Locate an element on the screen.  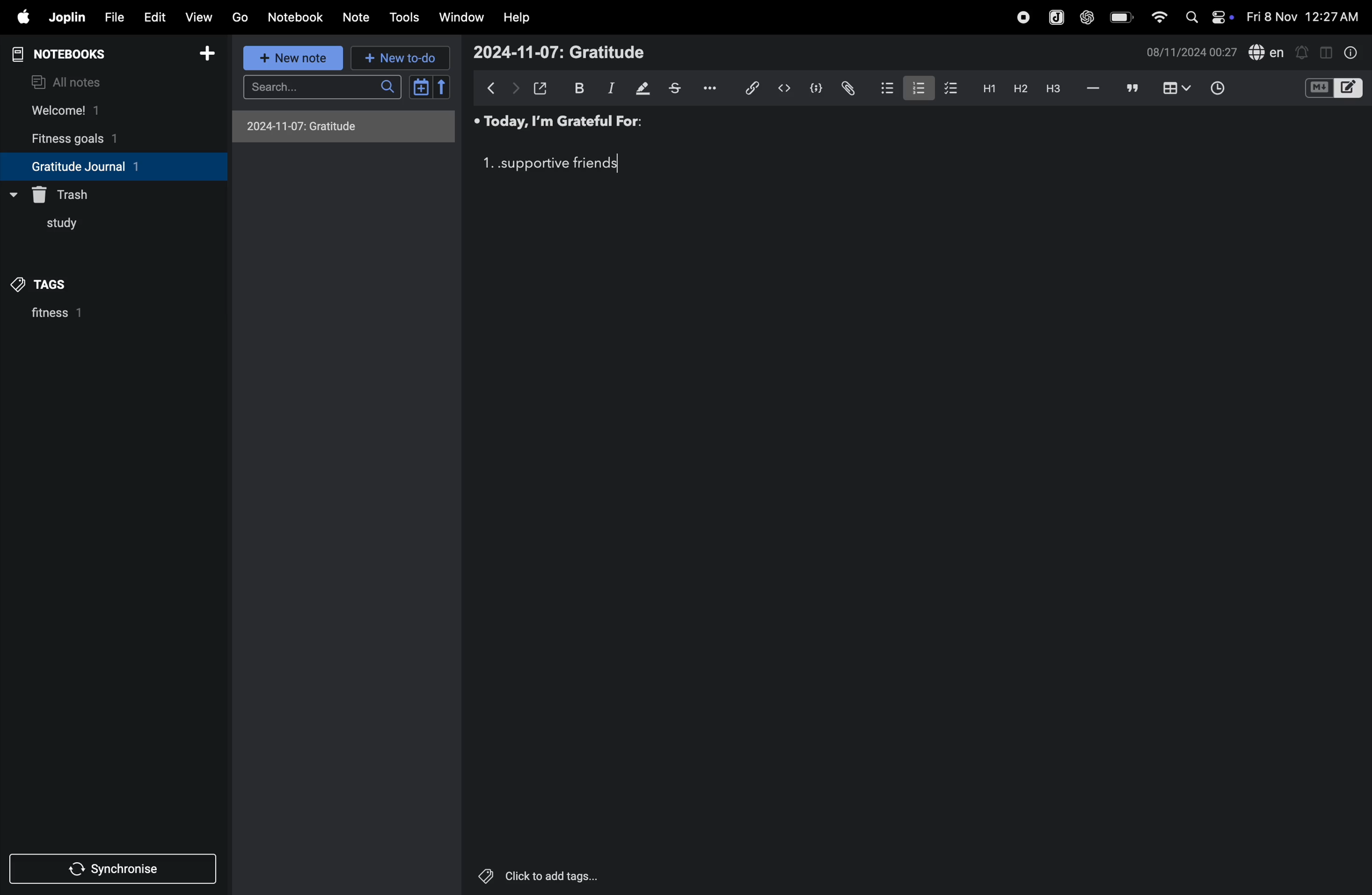
numbered list is located at coordinates (914, 88).